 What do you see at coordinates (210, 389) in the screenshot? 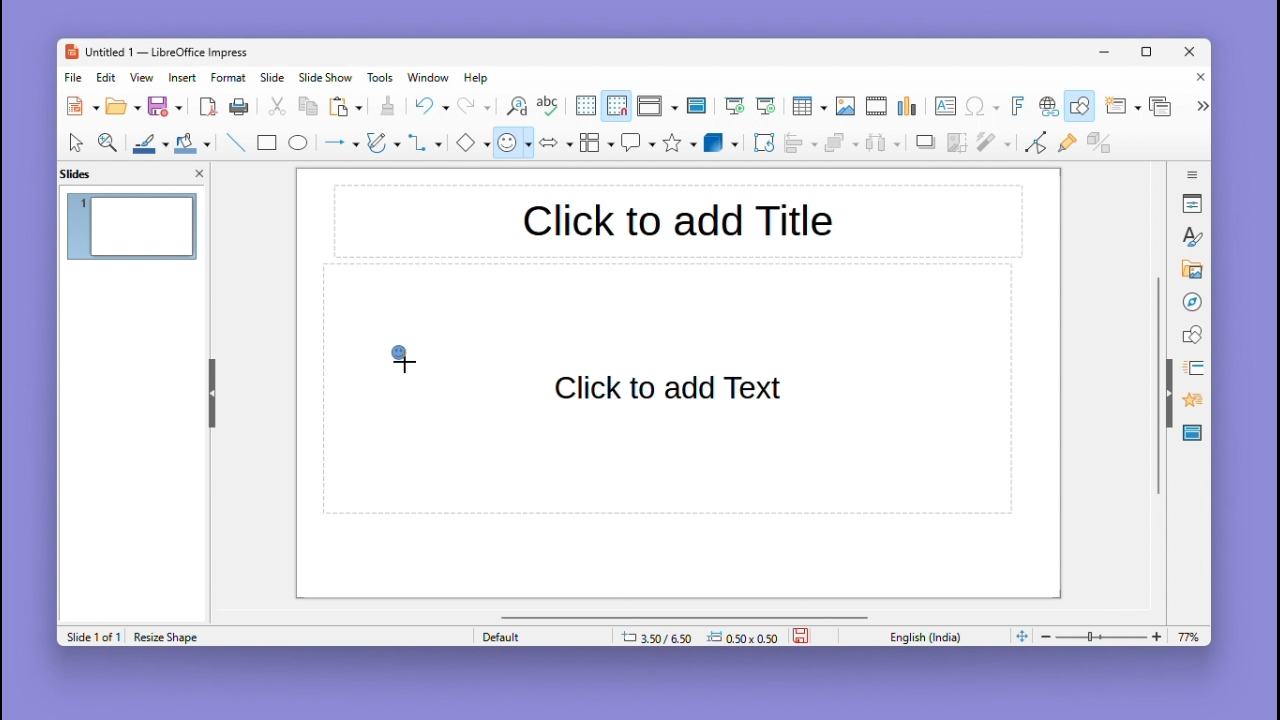
I see `hide` at bounding box center [210, 389].